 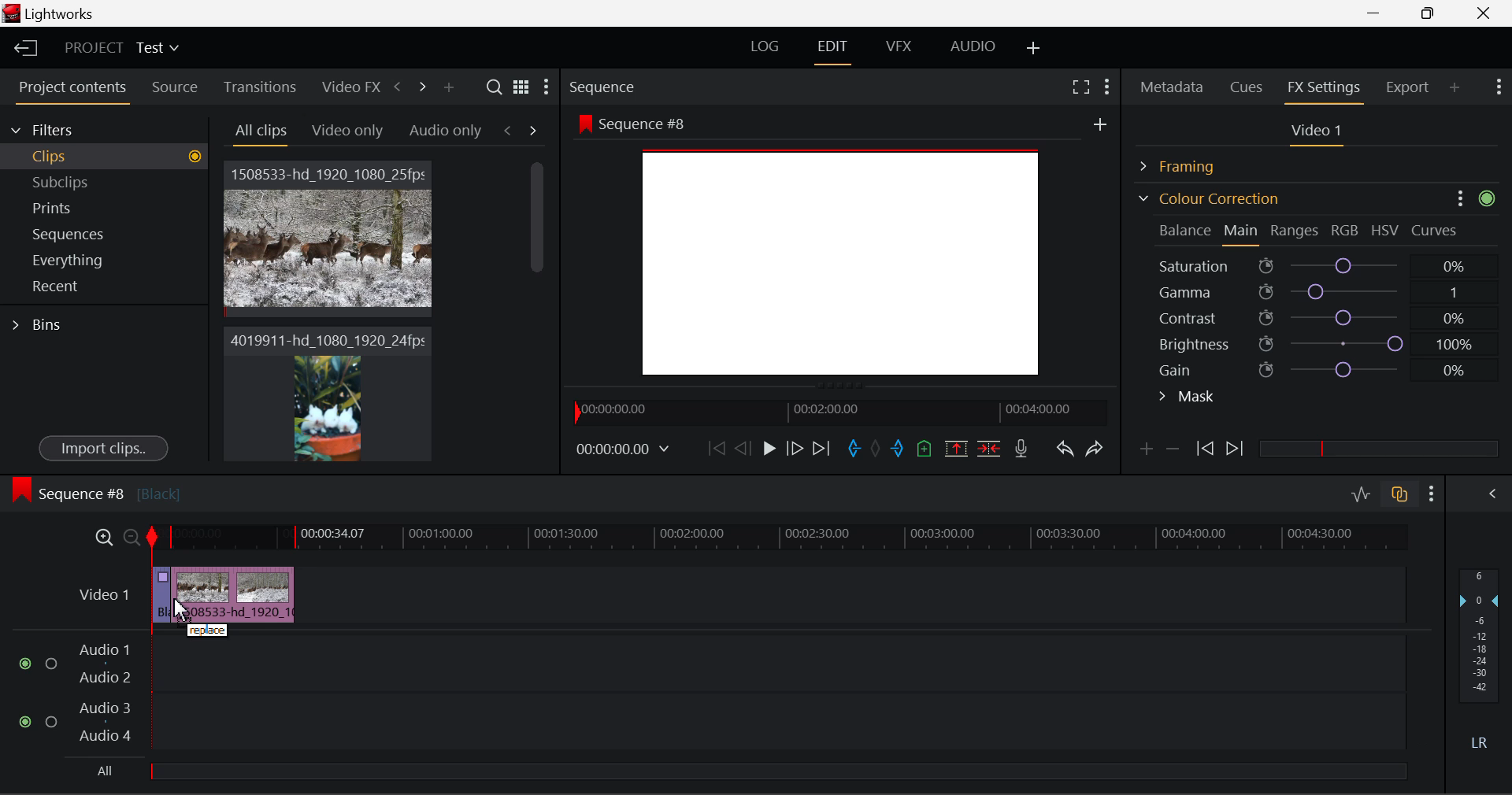 What do you see at coordinates (49, 15) in the screenshot?
I see `Window Title` at bounding box center [49, 15].